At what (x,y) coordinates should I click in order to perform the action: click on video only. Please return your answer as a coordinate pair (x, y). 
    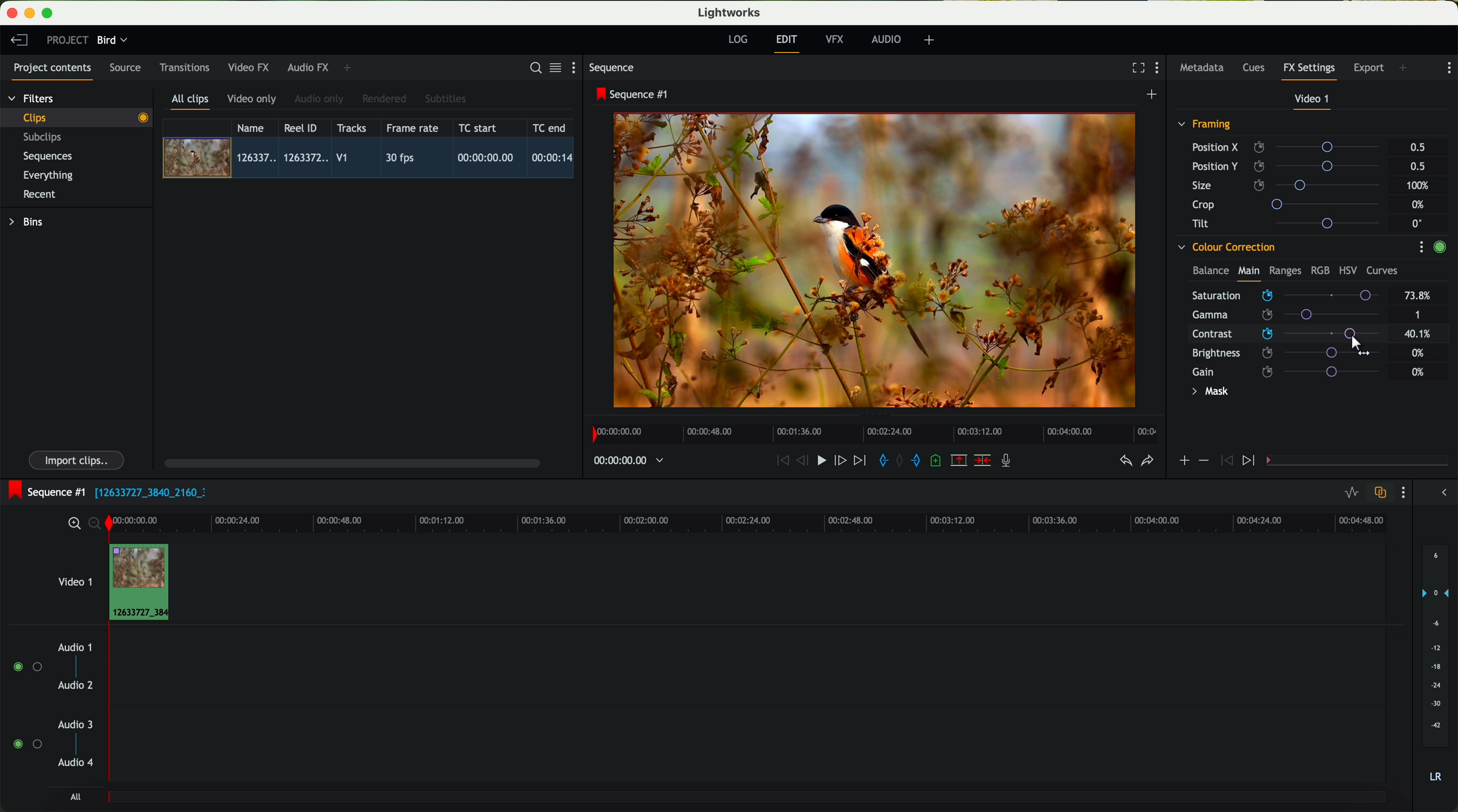
    Looking at the image, I should click on (251, 100).